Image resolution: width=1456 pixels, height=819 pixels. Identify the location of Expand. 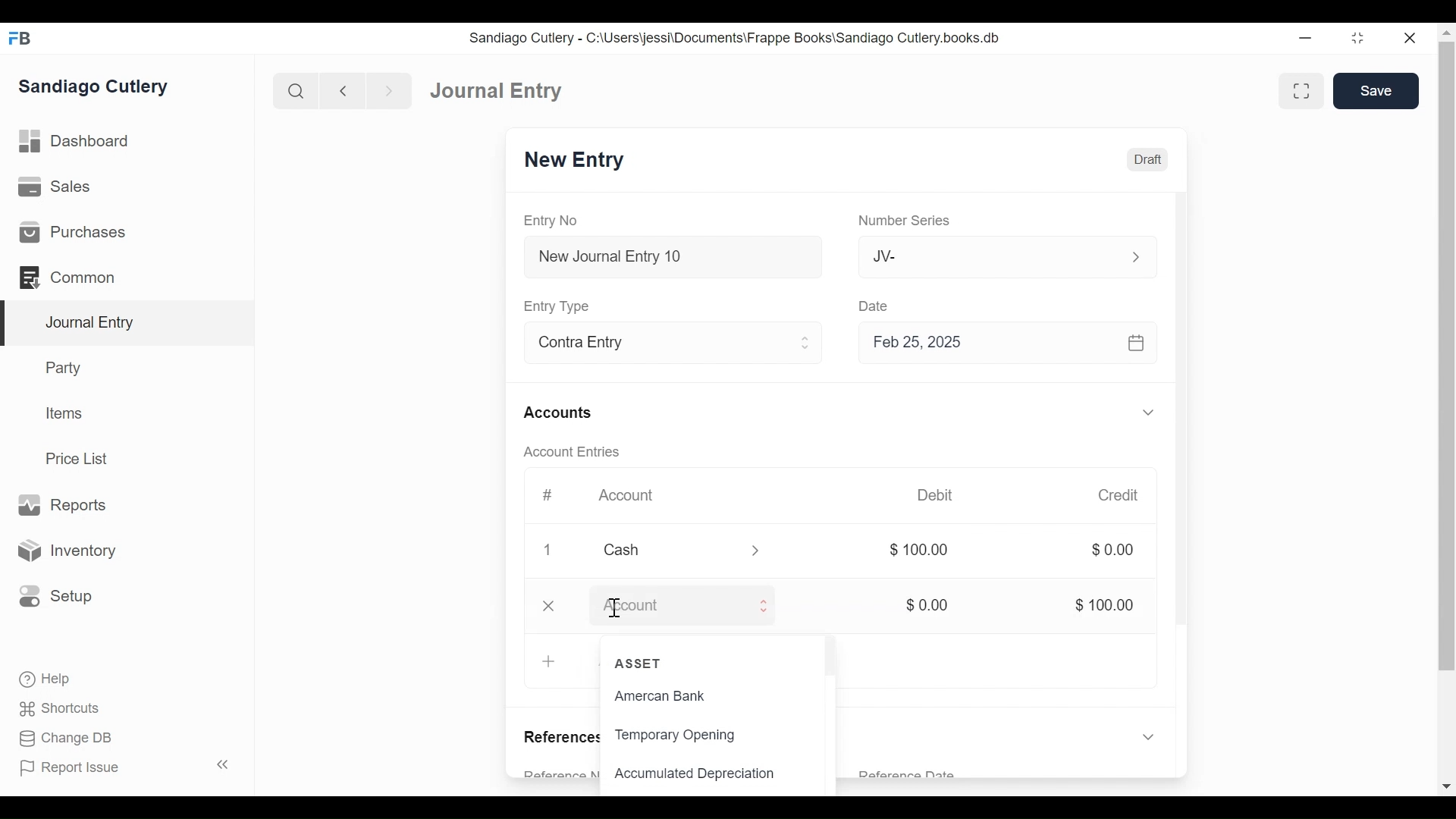
(1150, 412).